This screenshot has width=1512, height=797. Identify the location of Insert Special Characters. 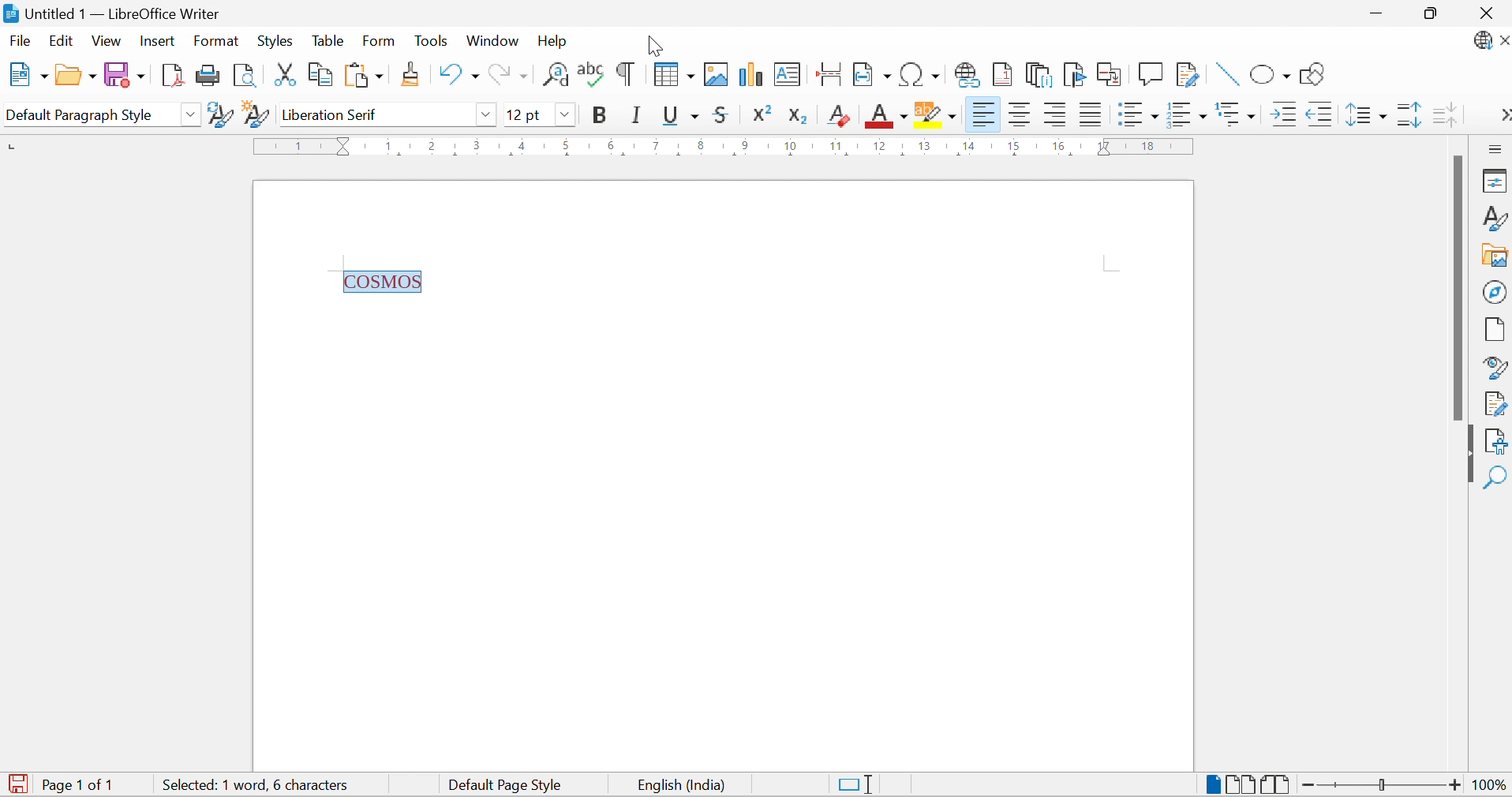
(920, 74).